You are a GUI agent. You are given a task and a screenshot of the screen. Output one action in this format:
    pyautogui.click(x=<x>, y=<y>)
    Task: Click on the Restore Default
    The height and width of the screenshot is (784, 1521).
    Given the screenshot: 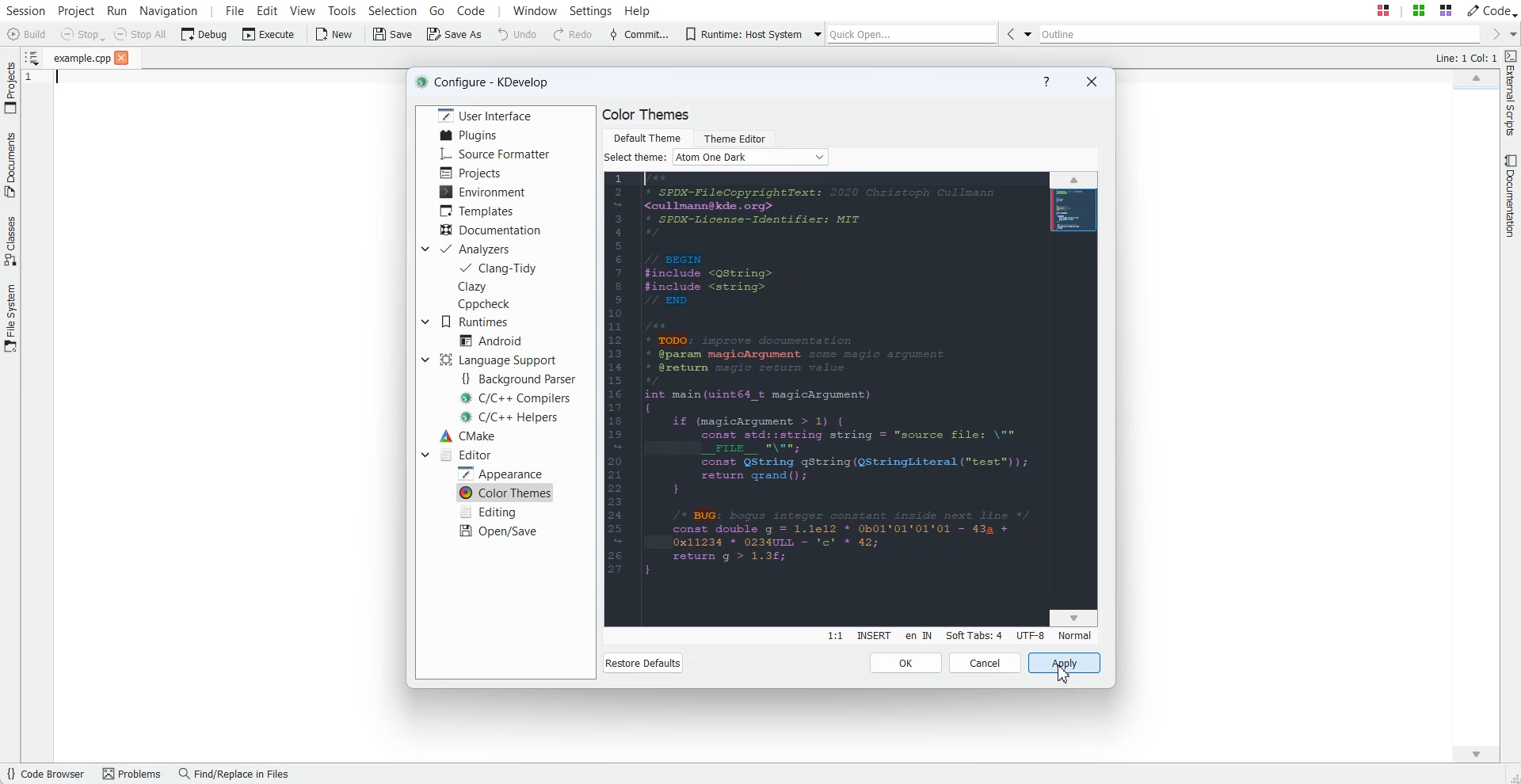 What is the action you would take?
    pyautogui.click(x=642, y=663)
    